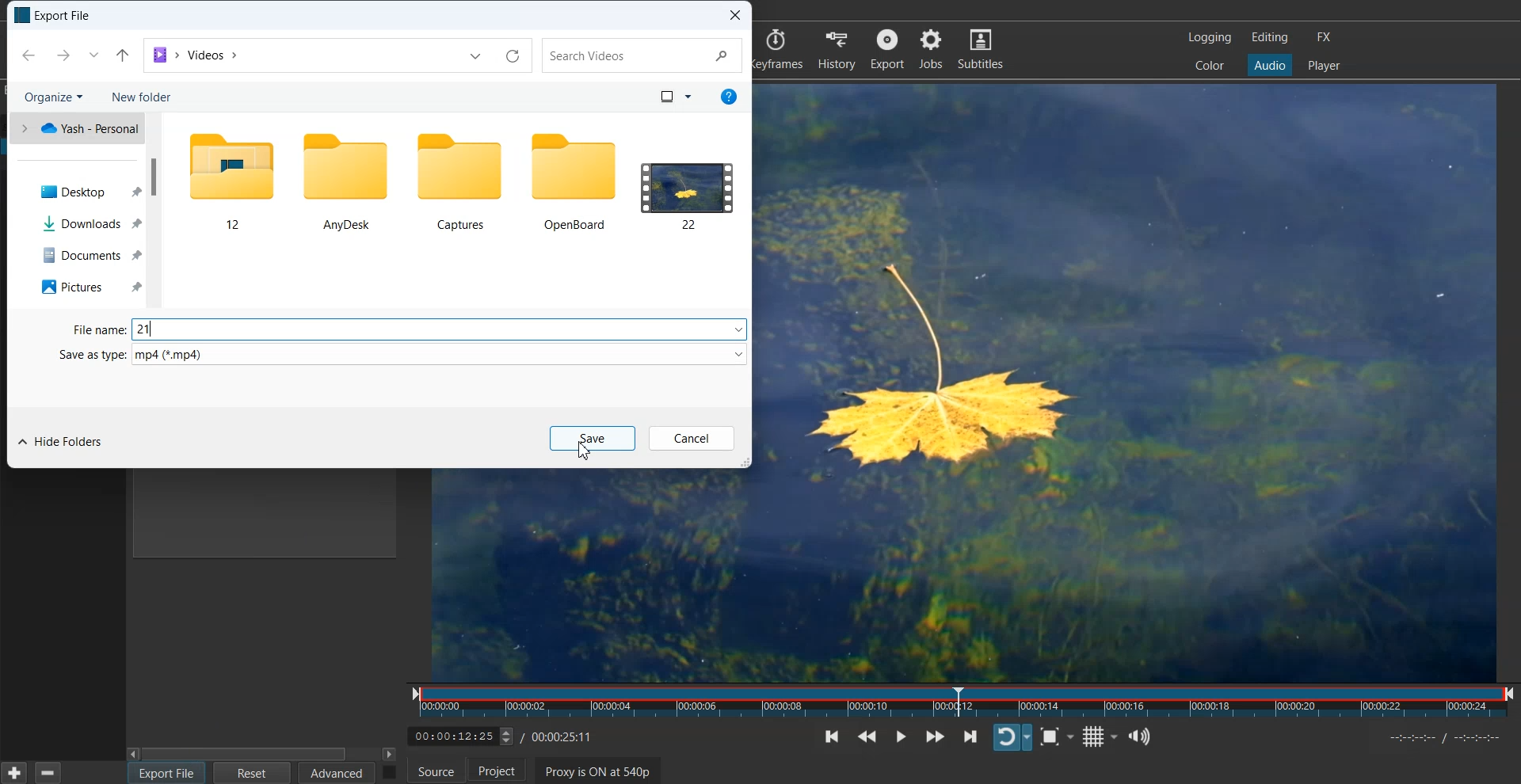 The image size is (1521, 784). I want to click on Cancel, so click(692, 439).